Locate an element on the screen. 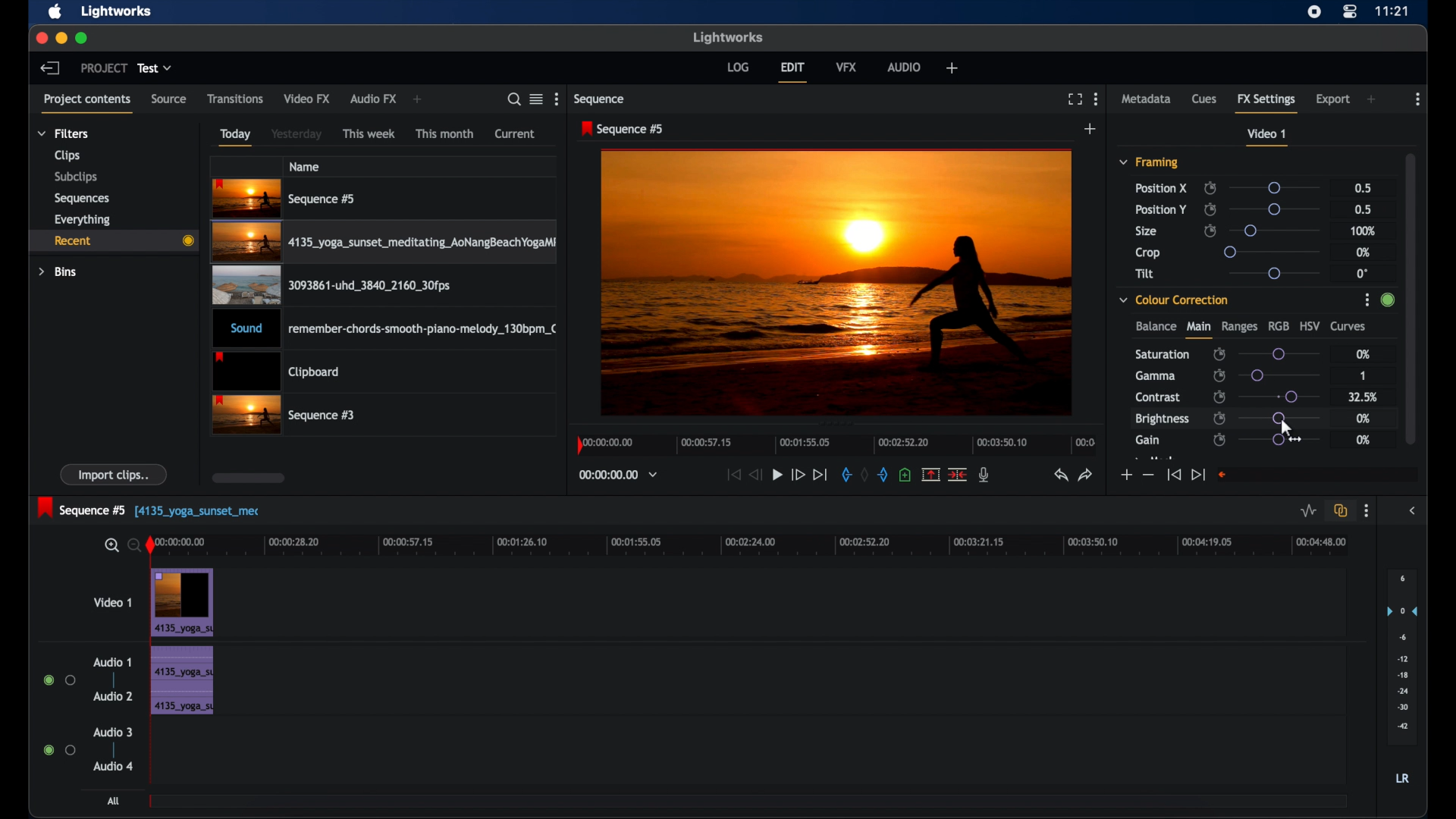  maximize is located at coordinates (83, 38).